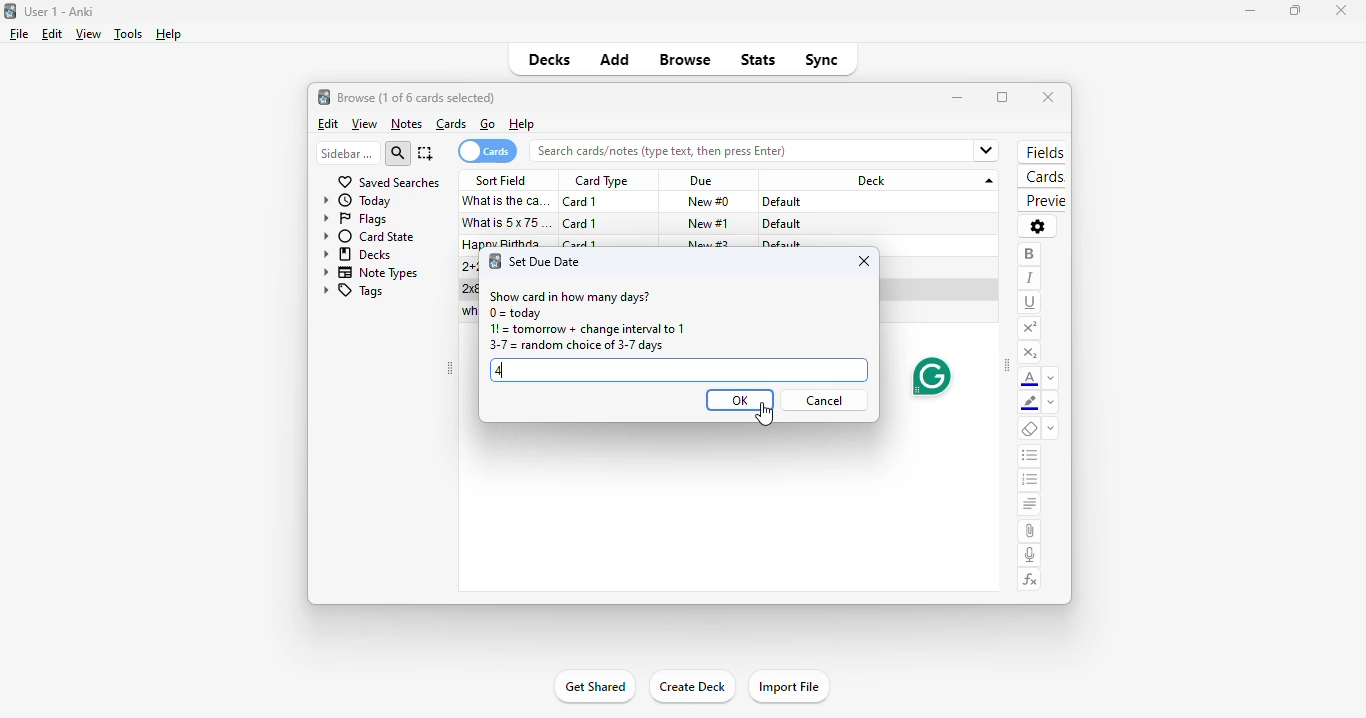 This screenshot has height=718, width=1366. What do you see at coordinates (502, 180) in the screenshot?
I see `sort field` at bounding box center [502, 180].